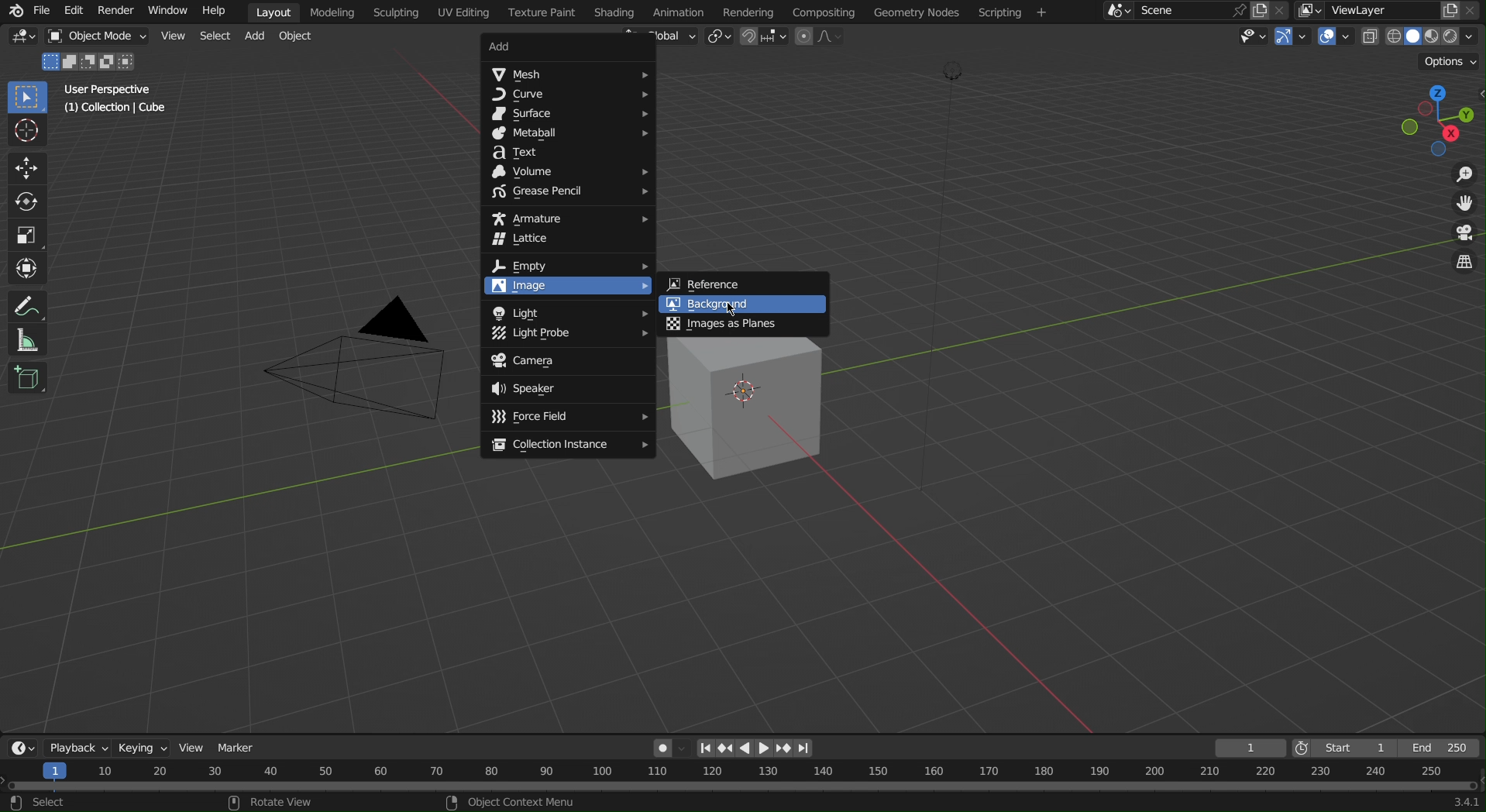 This screenshot has width=1486, height=812. What do you see at coordinates (717, 36) in the screenshot?
I see `Transform Pivot Point` at bounding box center [717, 36].